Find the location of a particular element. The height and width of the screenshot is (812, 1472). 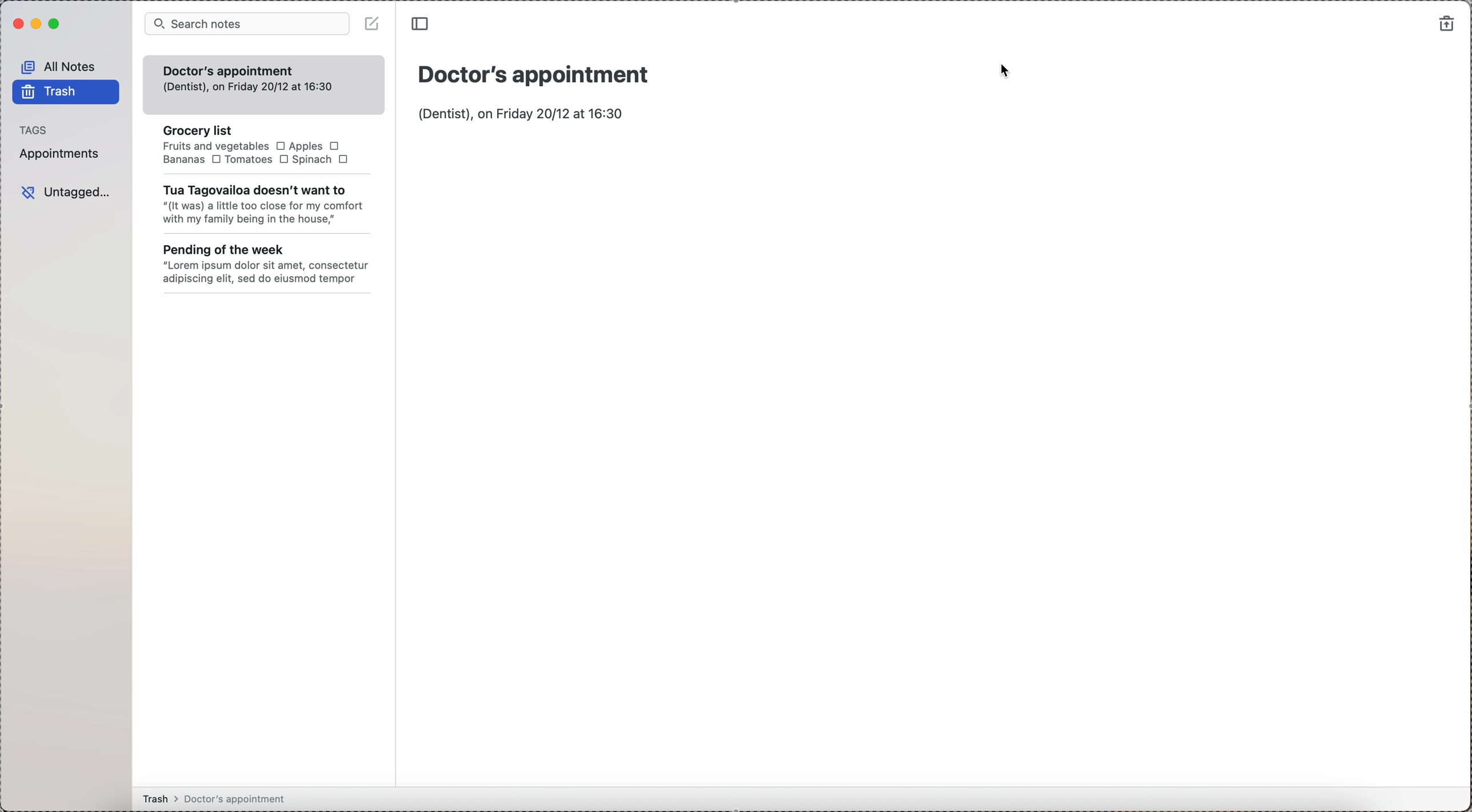

grocery list is located at coordinates (198, 129).